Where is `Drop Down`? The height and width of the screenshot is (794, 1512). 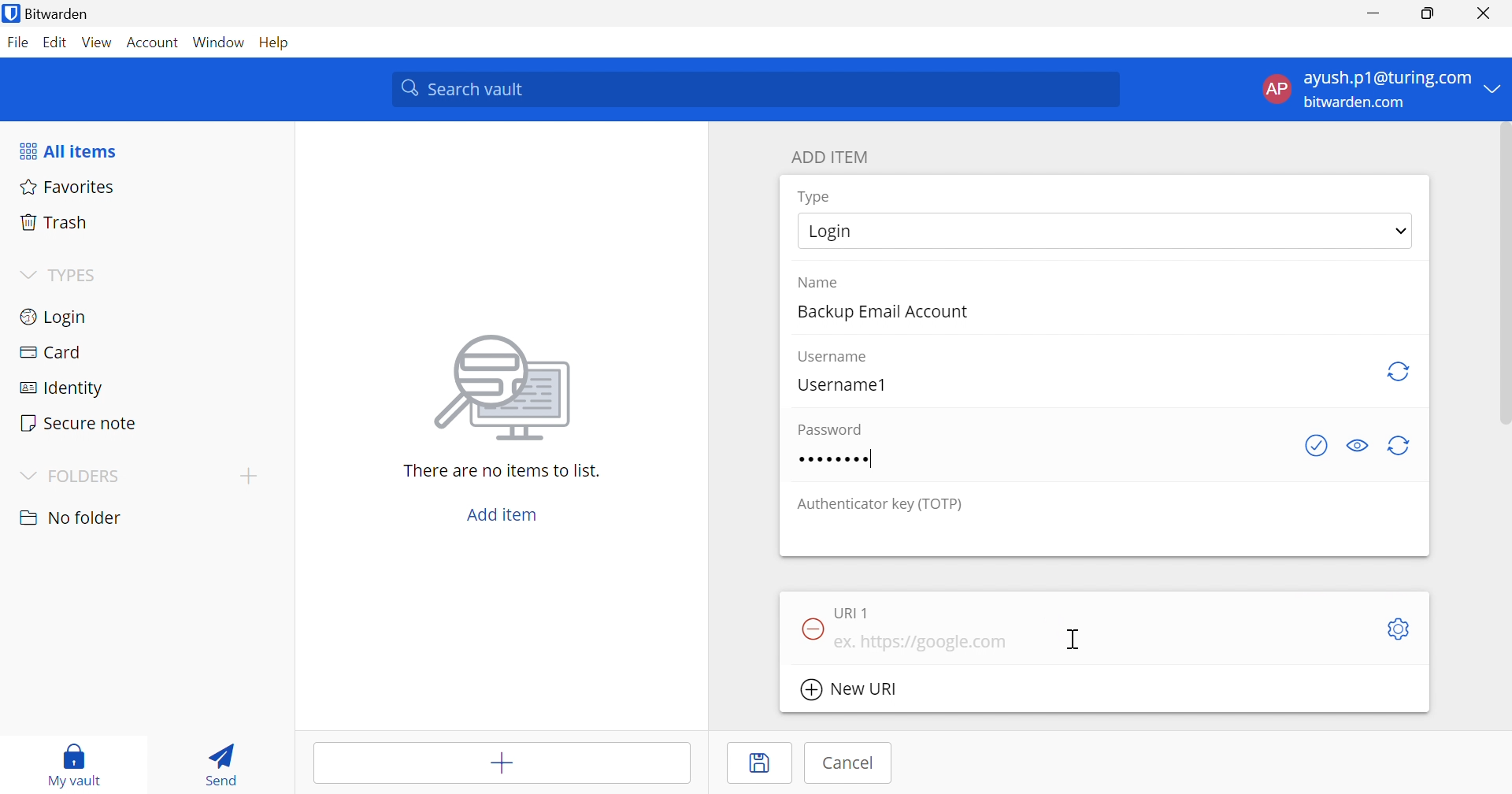 Drop Down is located at coordinates (1497, 89).